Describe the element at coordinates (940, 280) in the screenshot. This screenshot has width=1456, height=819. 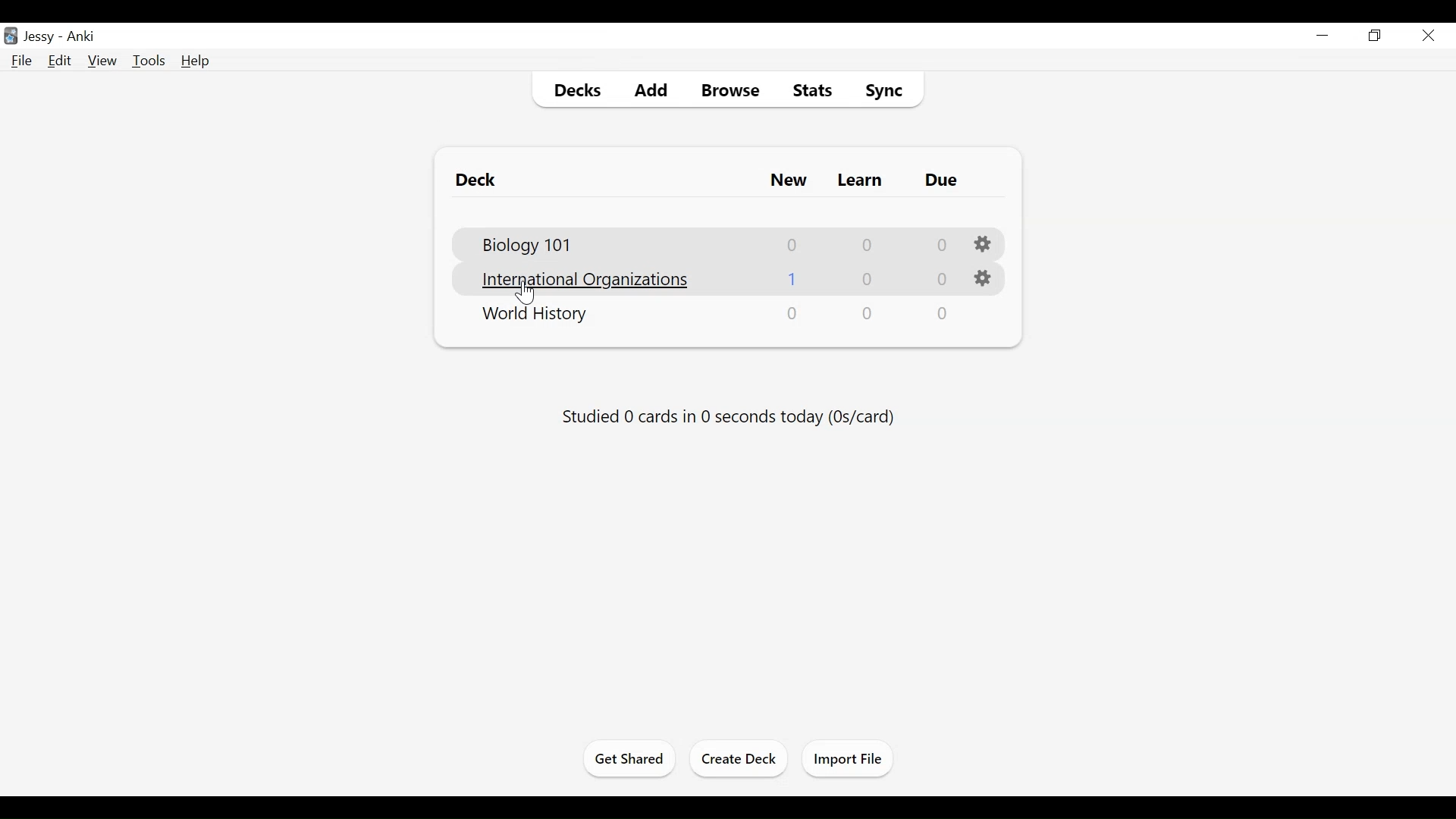
I see `0` at that location.